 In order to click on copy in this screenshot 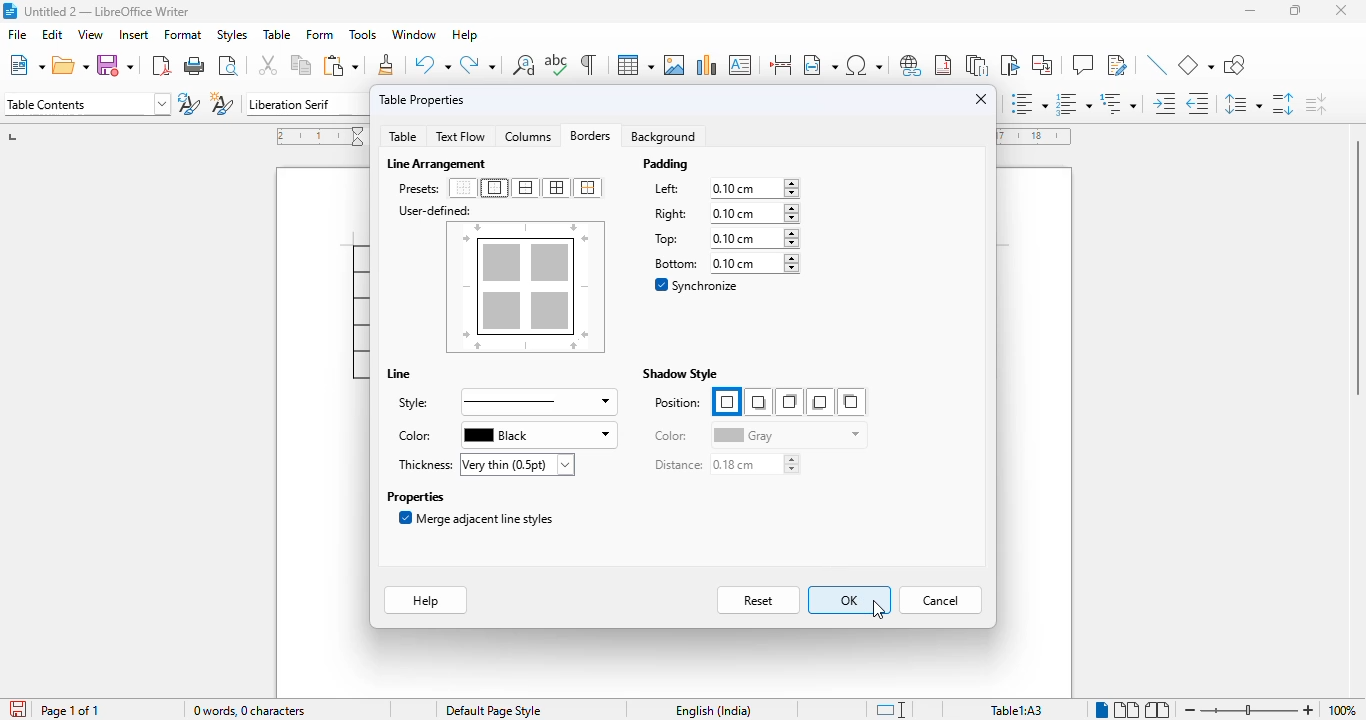, I will do `click(302, 66)`.